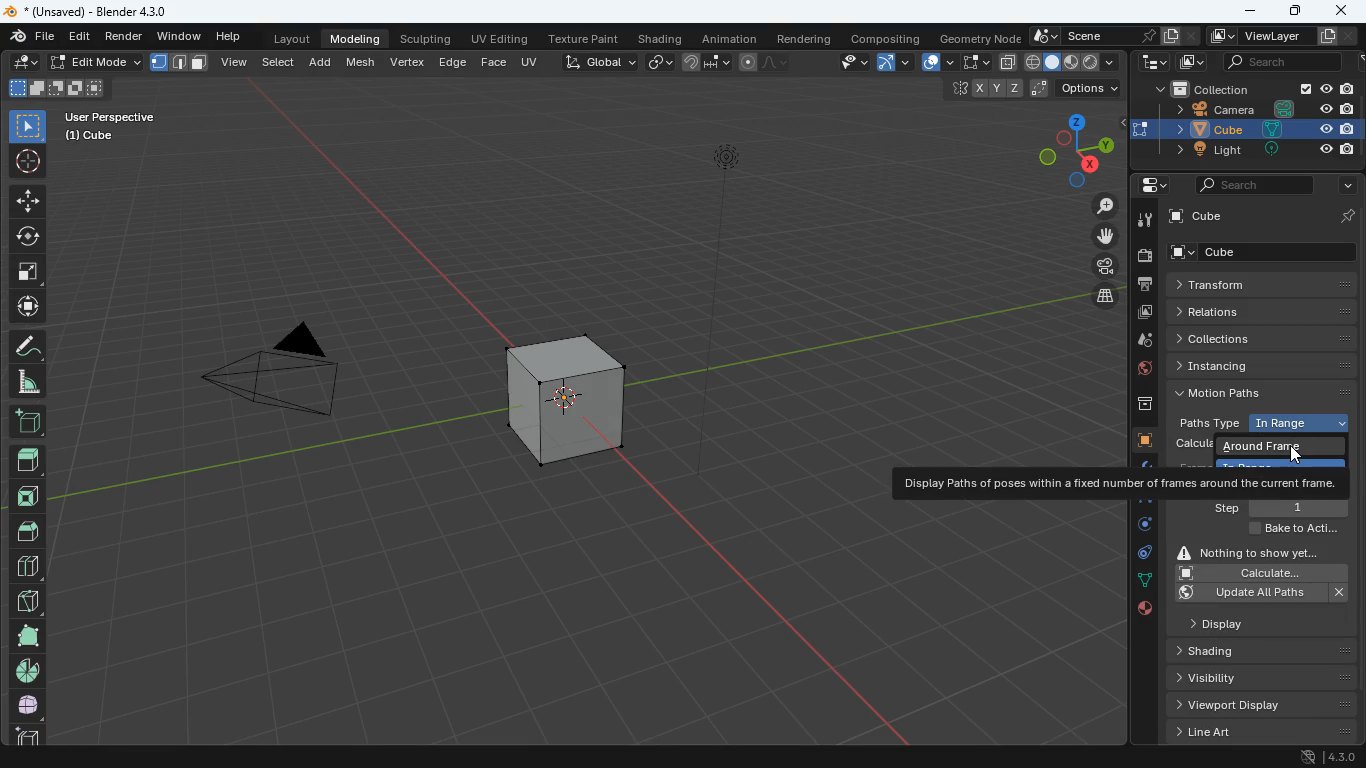 The height and width of the screenshot is (768, 1366). I want to click on edge, so click(1142, 505).